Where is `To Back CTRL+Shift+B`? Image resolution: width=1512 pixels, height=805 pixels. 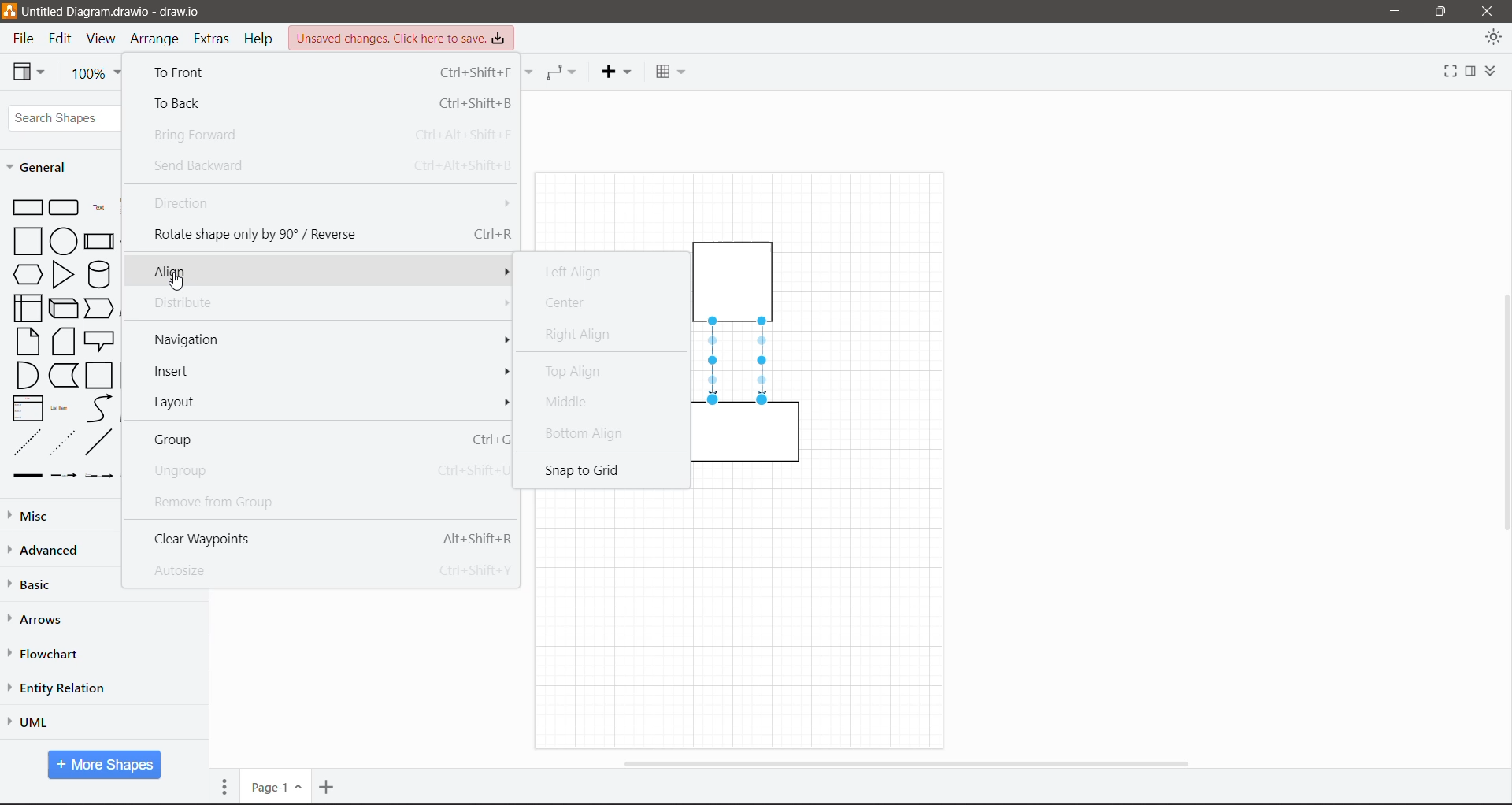 To Back CTRL+Shift+B is located at coordinates (324, 102).